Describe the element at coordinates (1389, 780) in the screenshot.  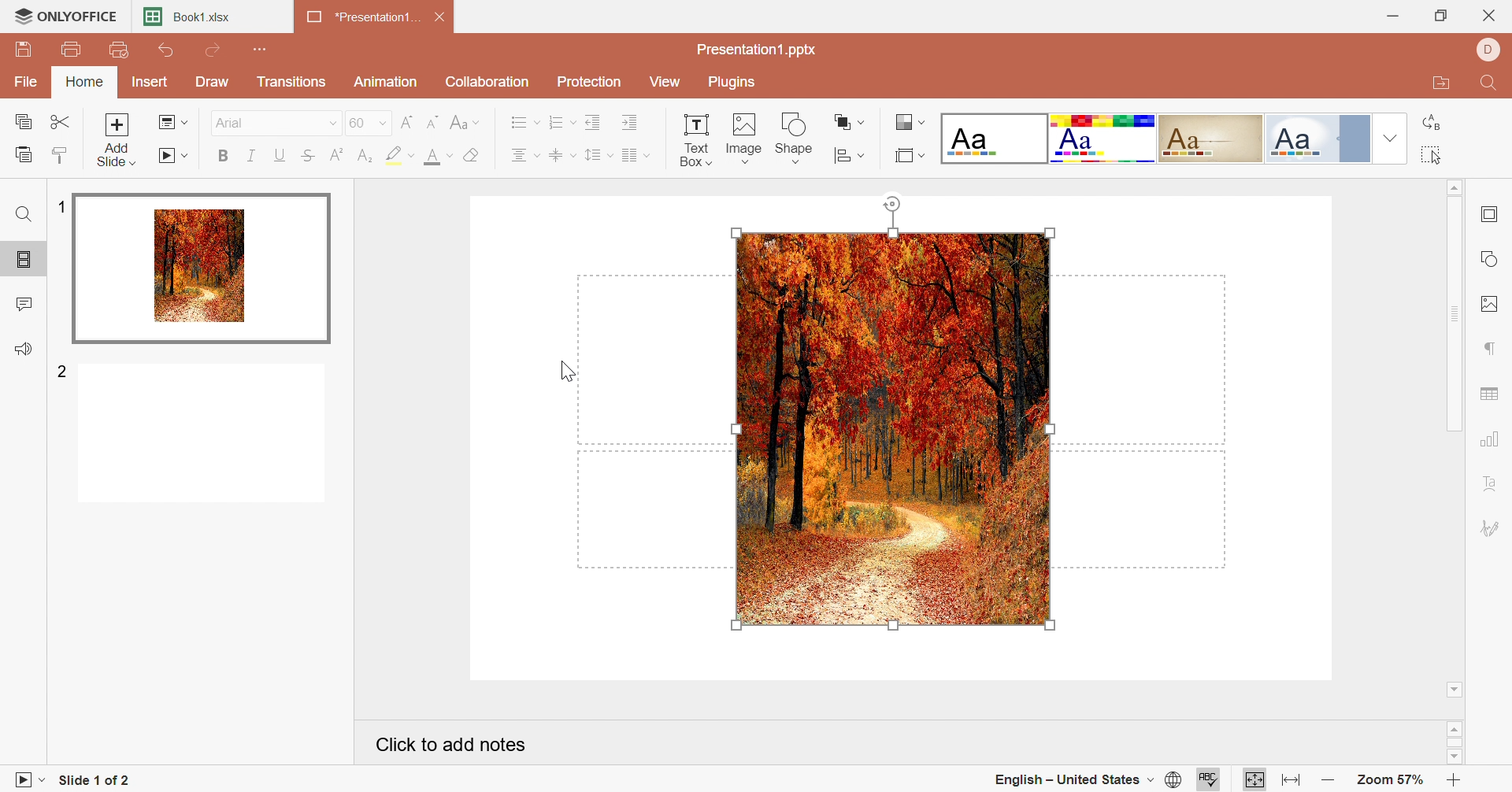
I see `Zoom 57%` at that location.